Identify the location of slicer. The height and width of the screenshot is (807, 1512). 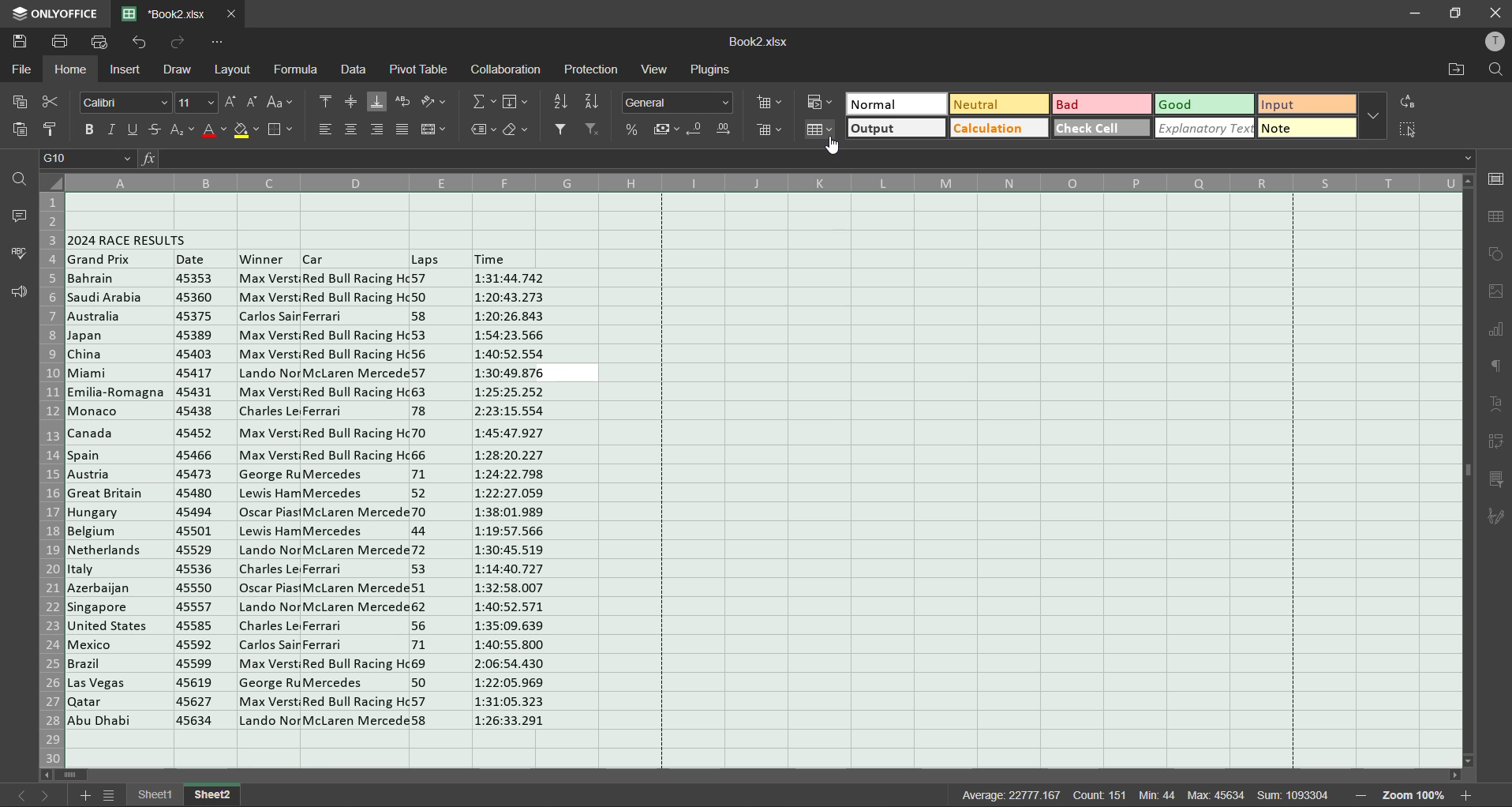
(1497, 479).